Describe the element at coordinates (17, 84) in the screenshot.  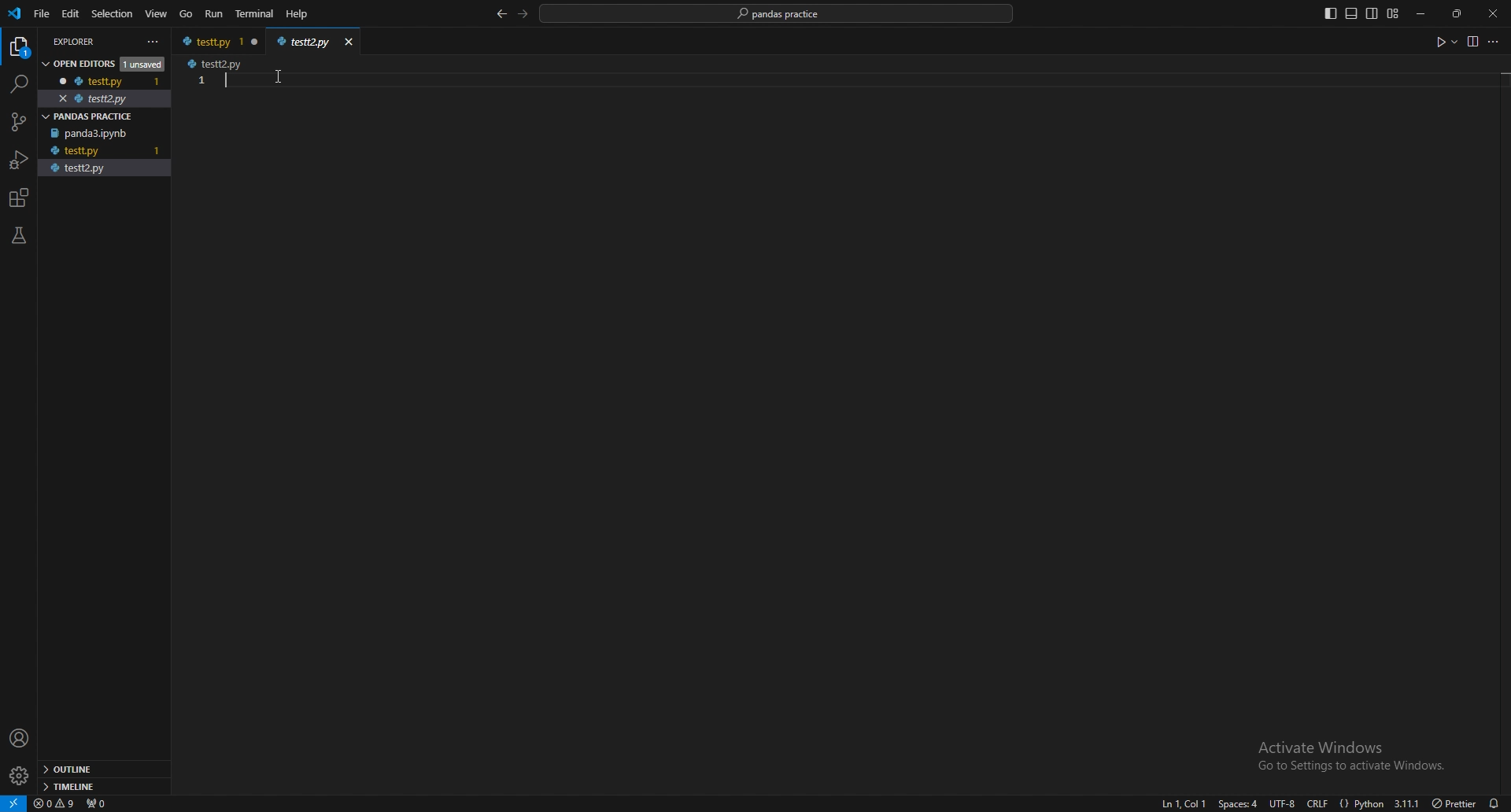
I see `search` at that location.